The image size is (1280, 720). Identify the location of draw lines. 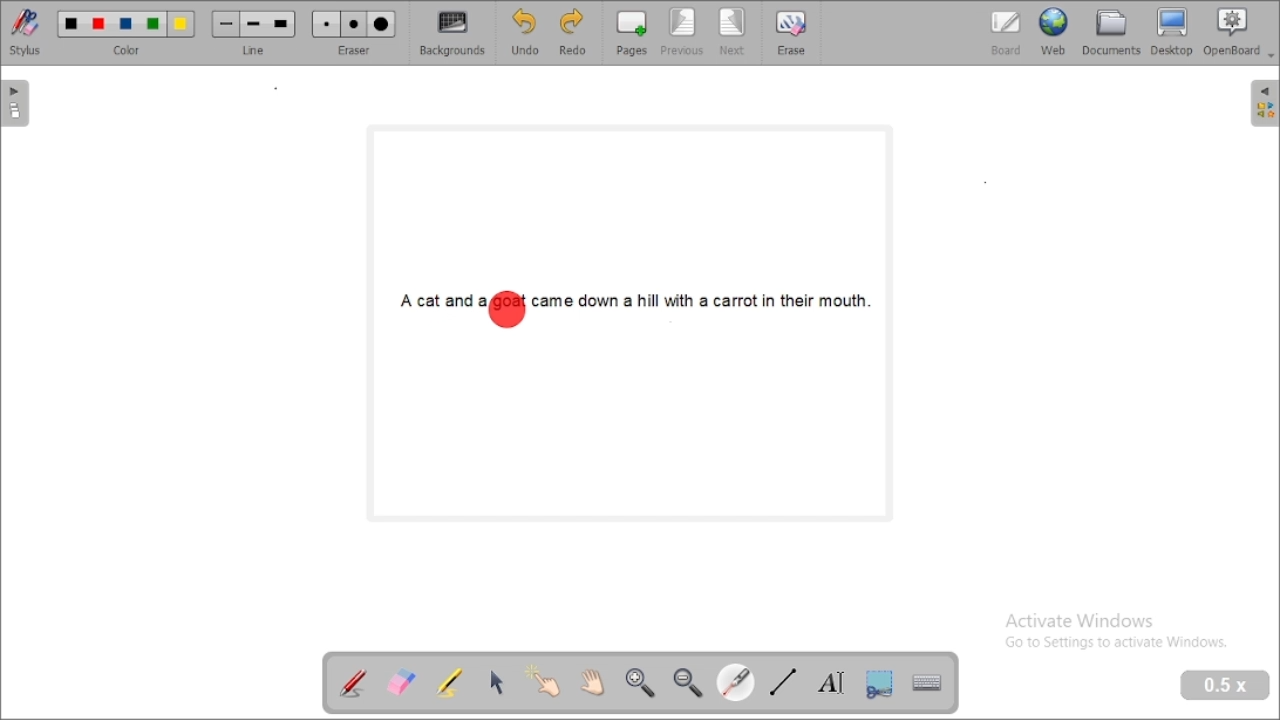
(784, 681).